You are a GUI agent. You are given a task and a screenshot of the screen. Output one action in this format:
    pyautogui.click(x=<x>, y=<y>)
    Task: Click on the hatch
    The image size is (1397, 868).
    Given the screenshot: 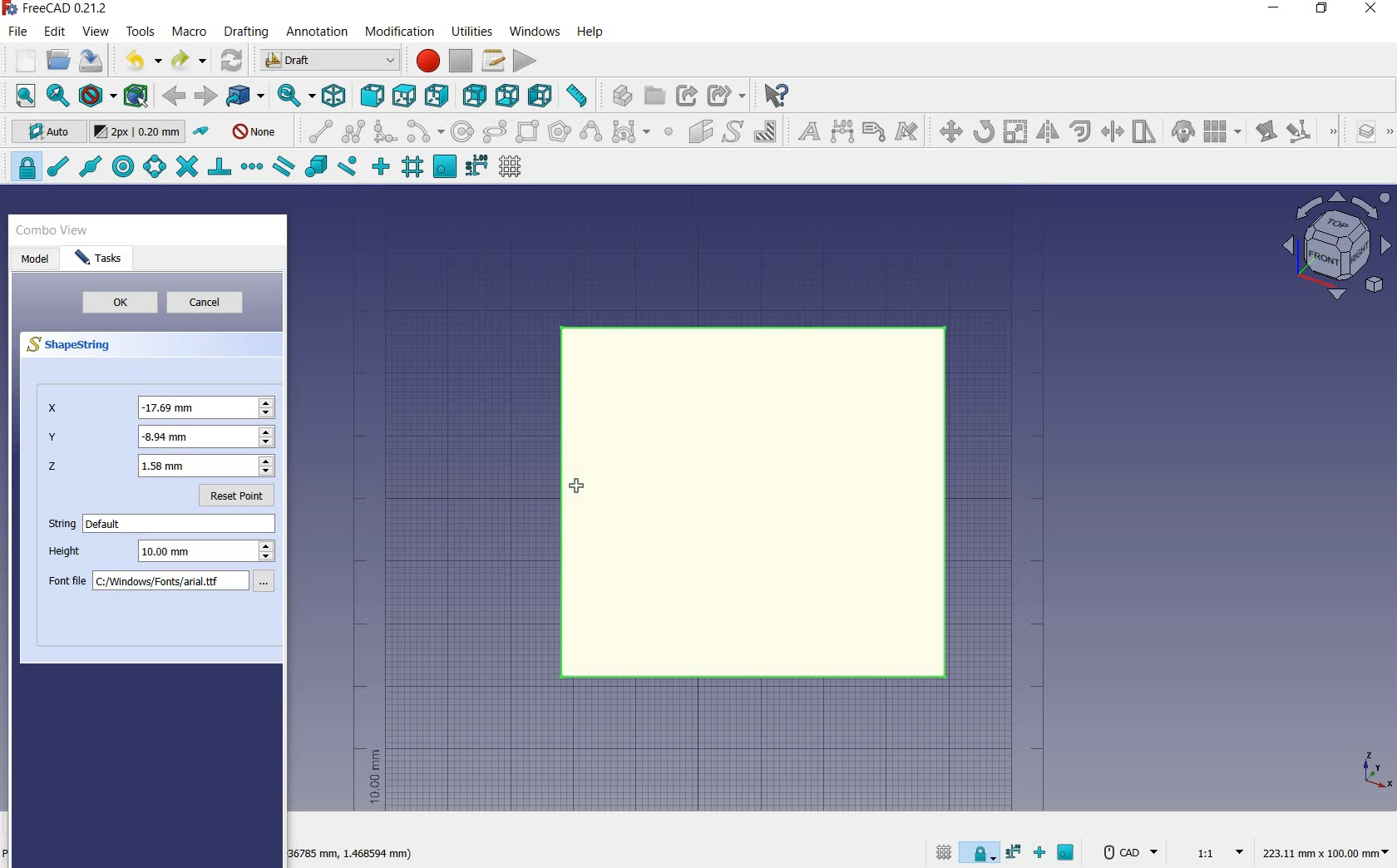 What is the action you would take?
    pyautogui.click(x=766, y=131)
    